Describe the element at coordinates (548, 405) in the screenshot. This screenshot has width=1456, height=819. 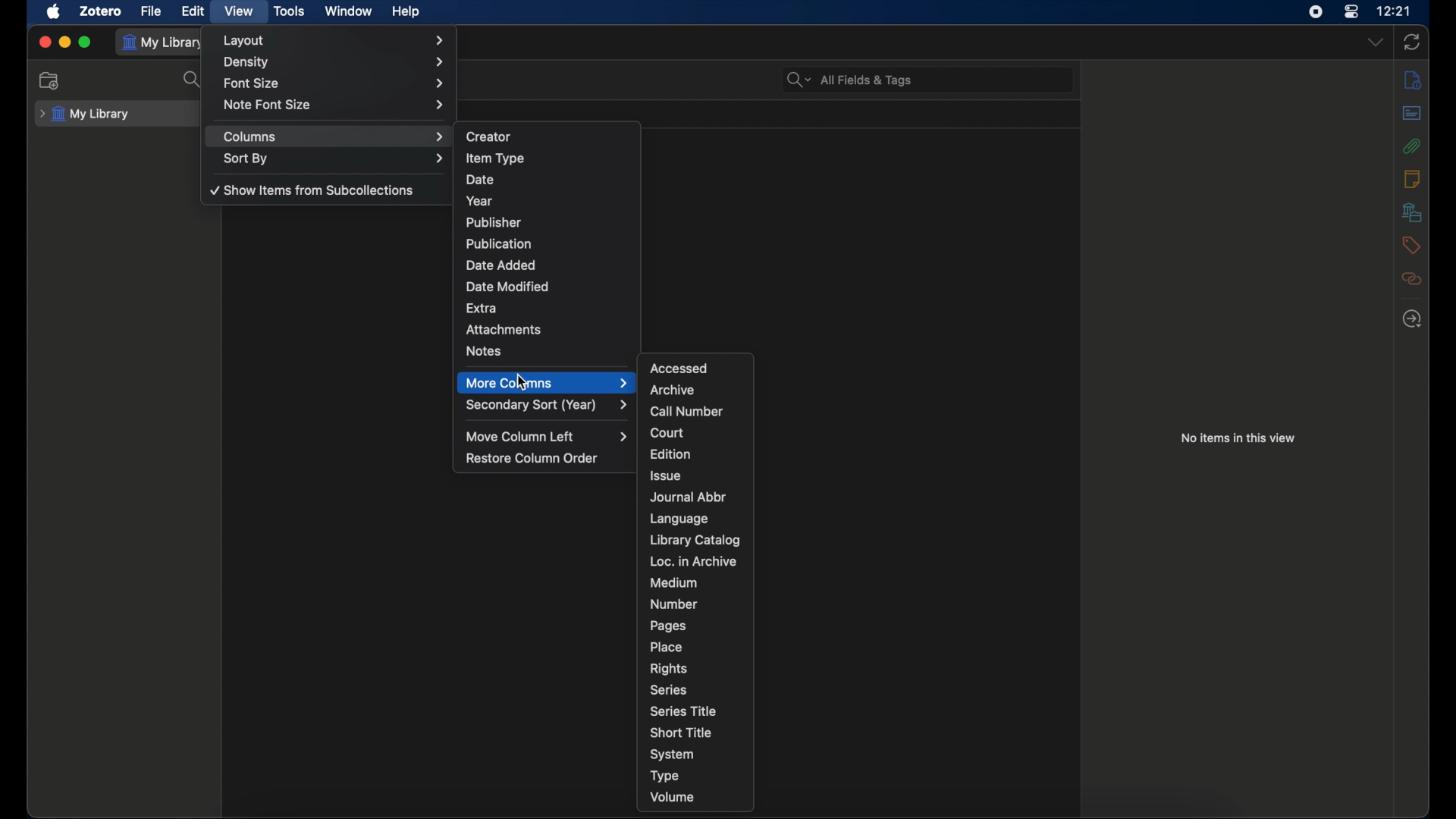
I see `secondary sort` at that location.